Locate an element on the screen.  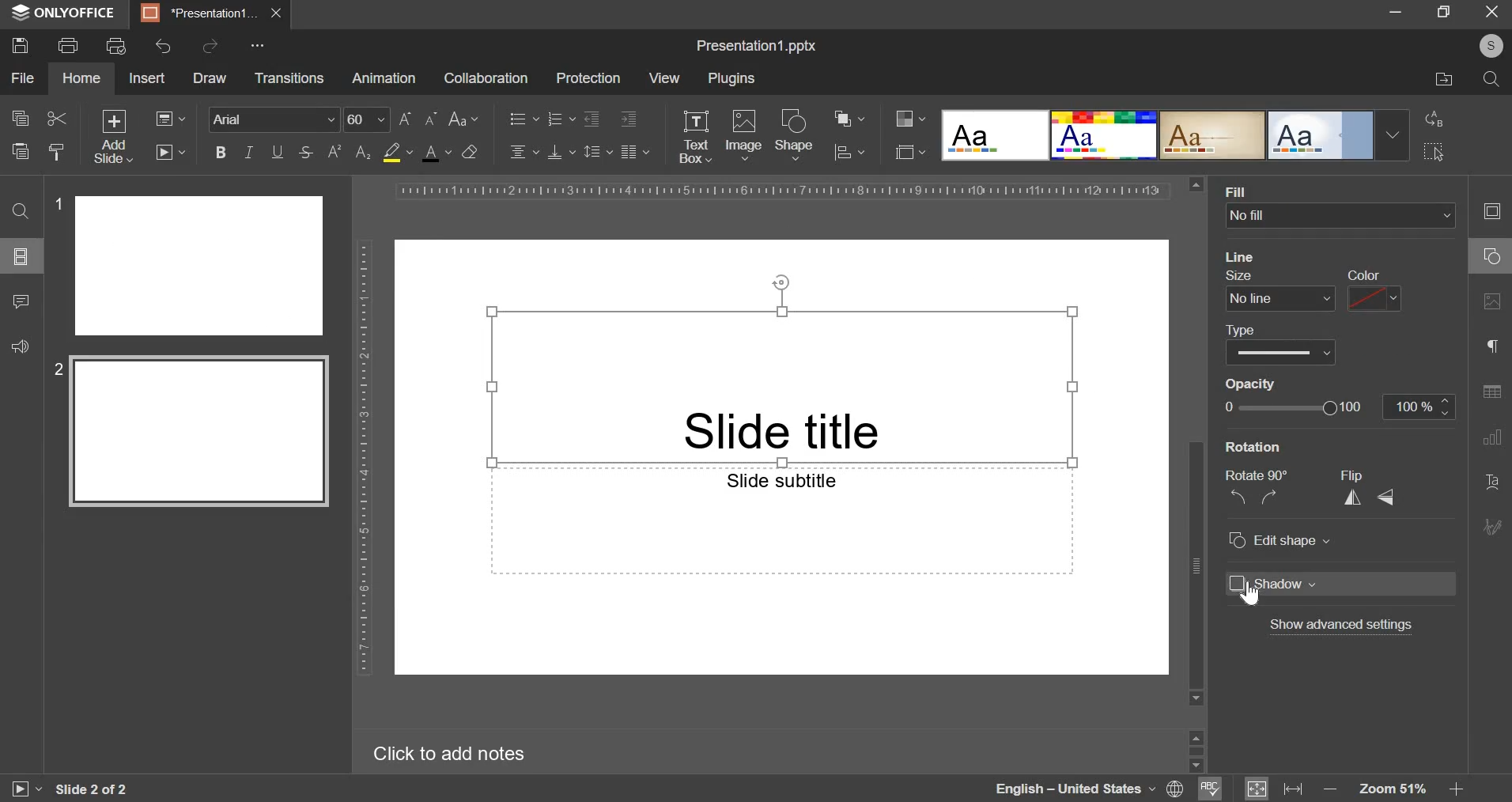
italics is located at coordinates (248, 151).